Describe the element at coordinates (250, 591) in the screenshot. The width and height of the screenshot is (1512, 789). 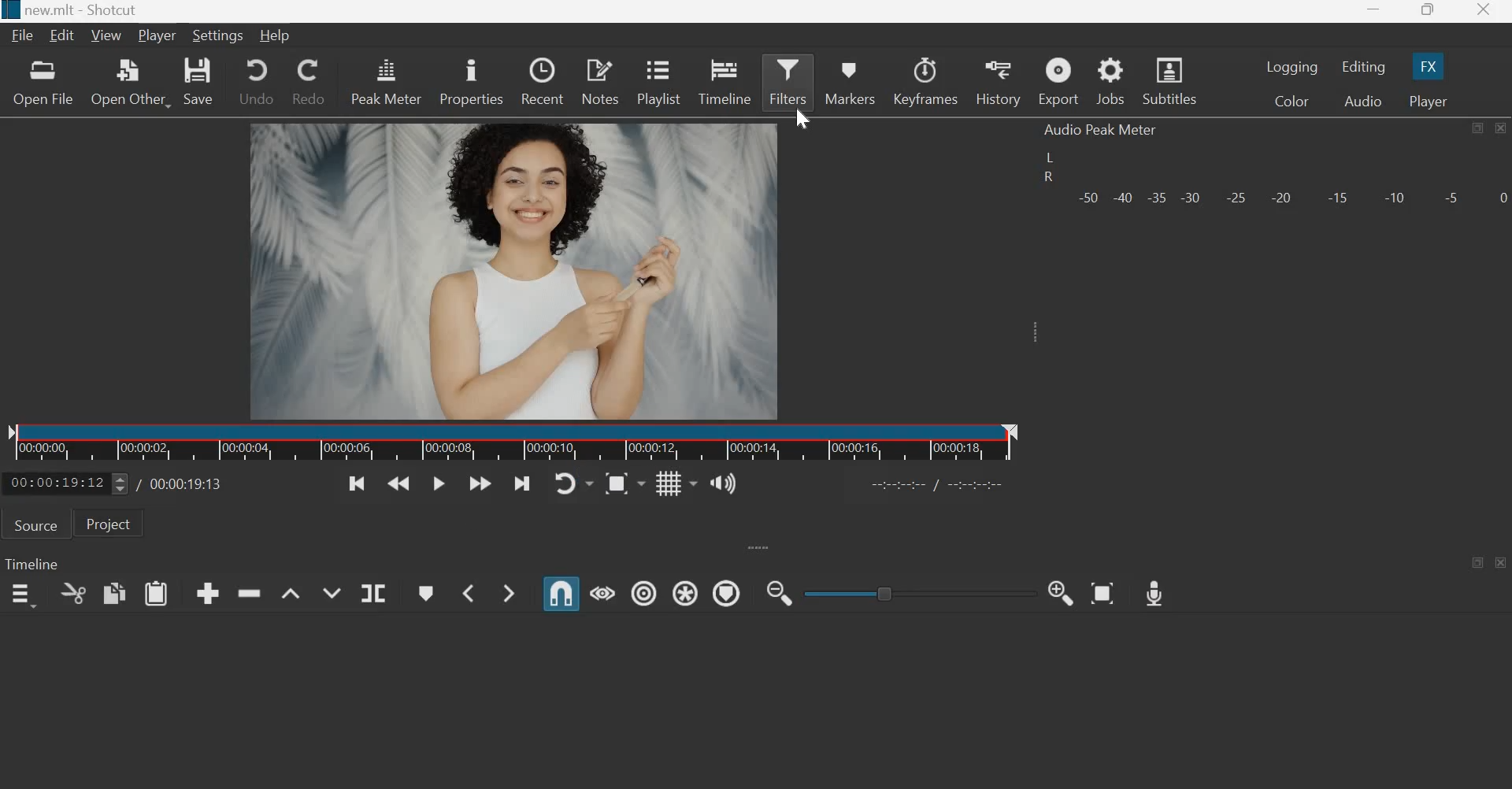
I see `ripple delete` at that location.